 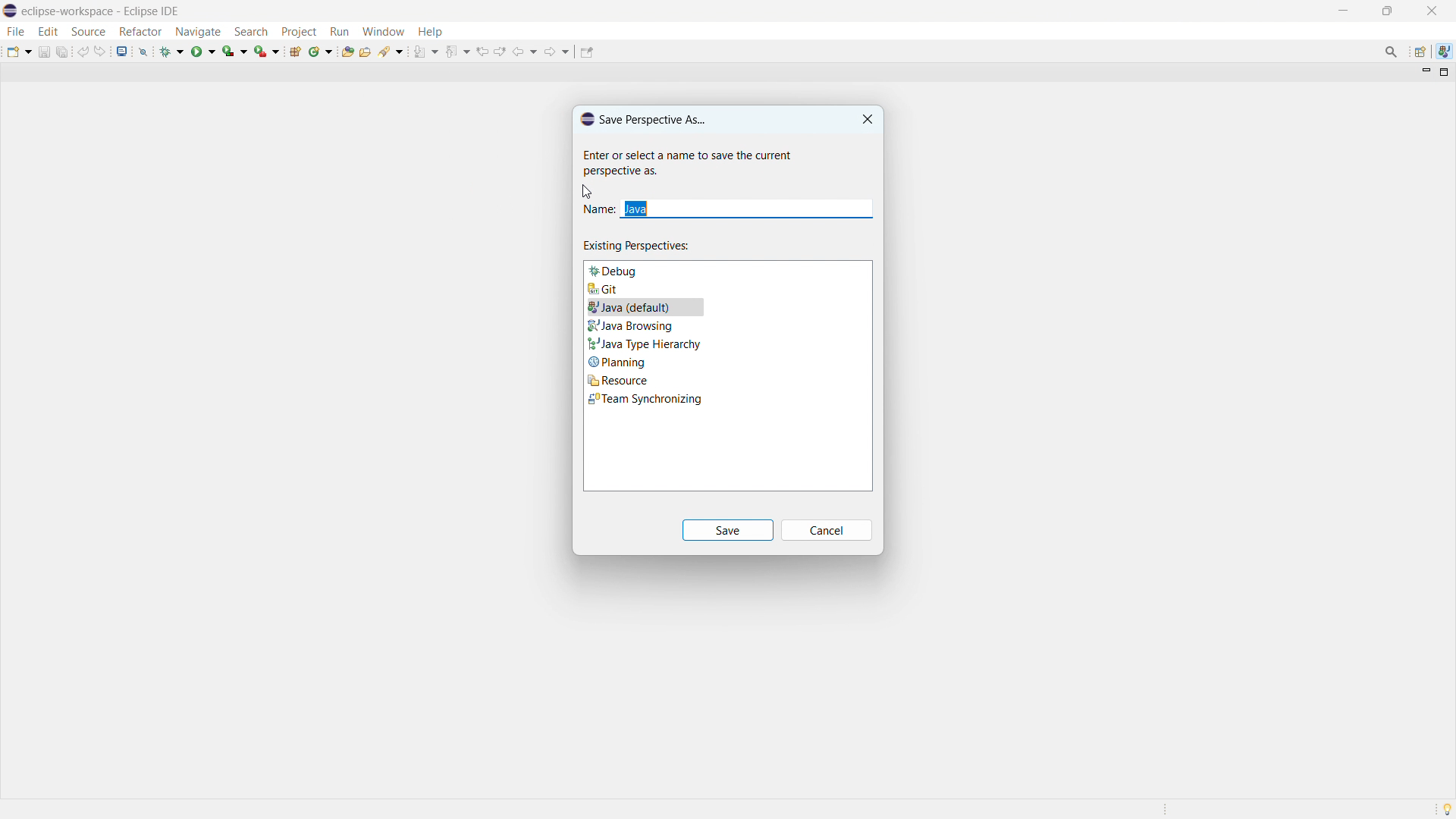 I want to click on close dialogbox, so click(x=868, y=119).